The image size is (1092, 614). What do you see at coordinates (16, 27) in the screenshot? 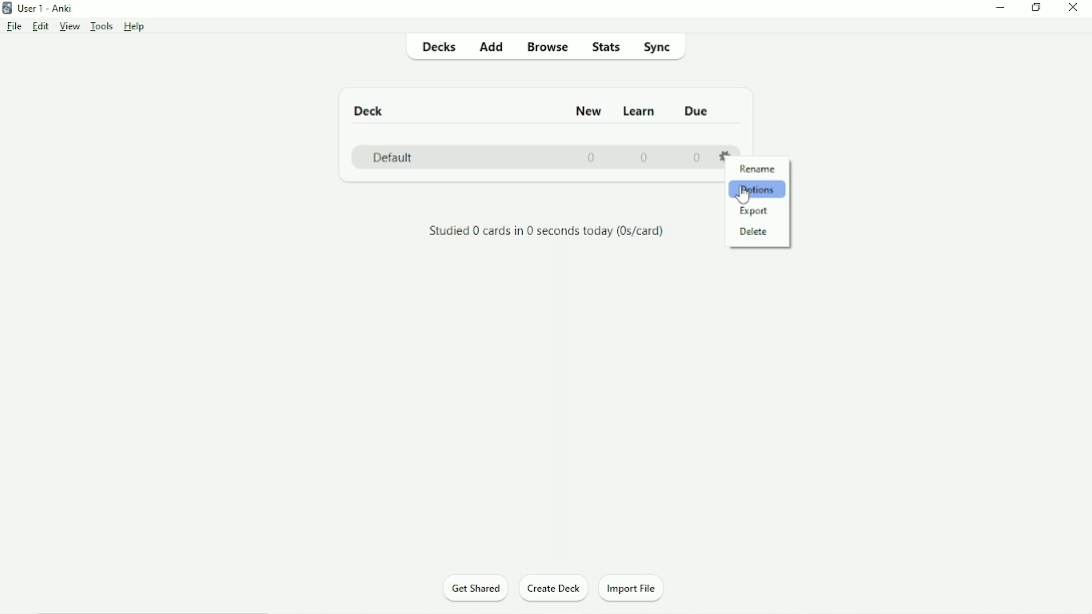
I see `File` at bounding box center [16, 27].